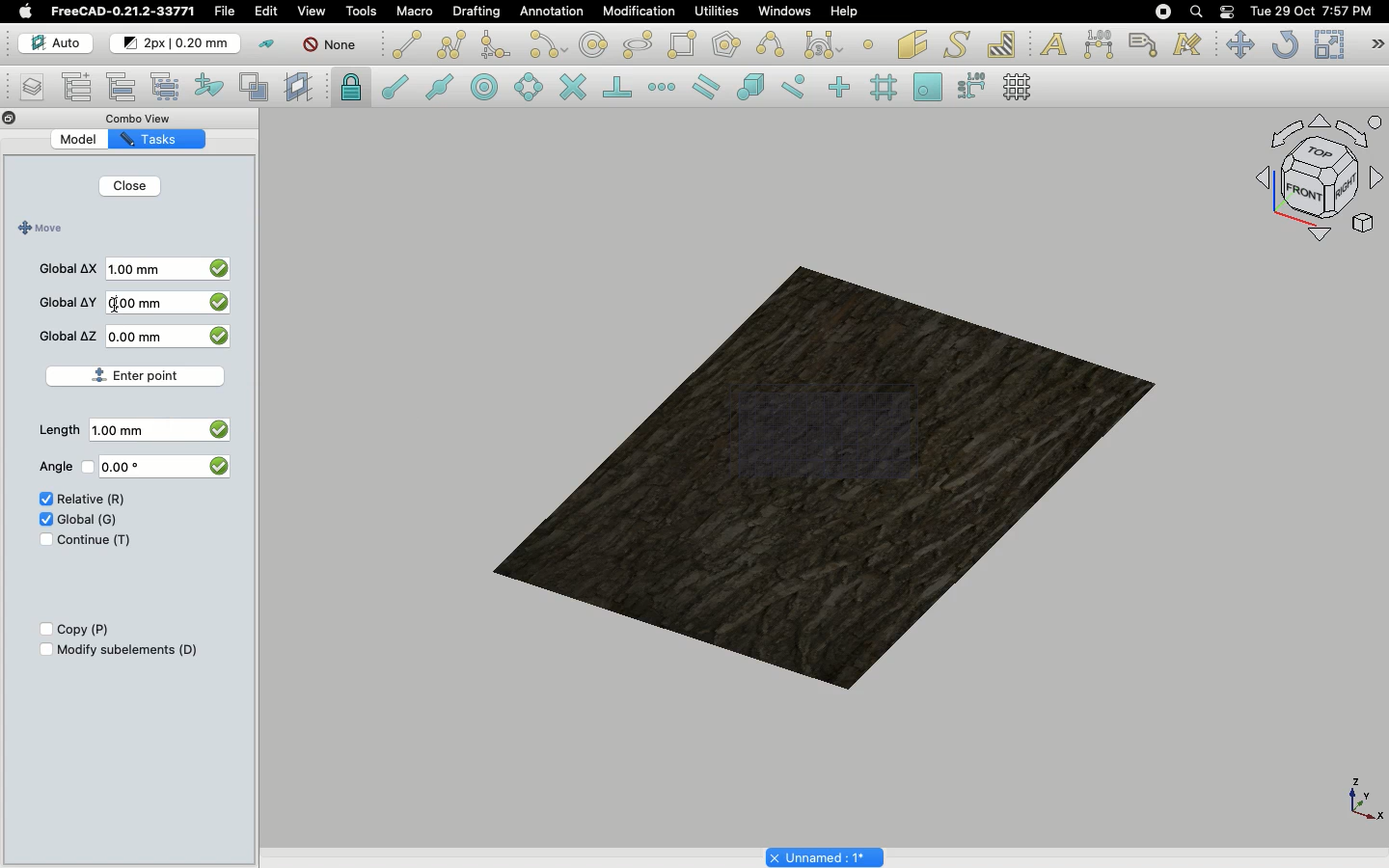  I want to click on Rectangle, so click(686, 45).